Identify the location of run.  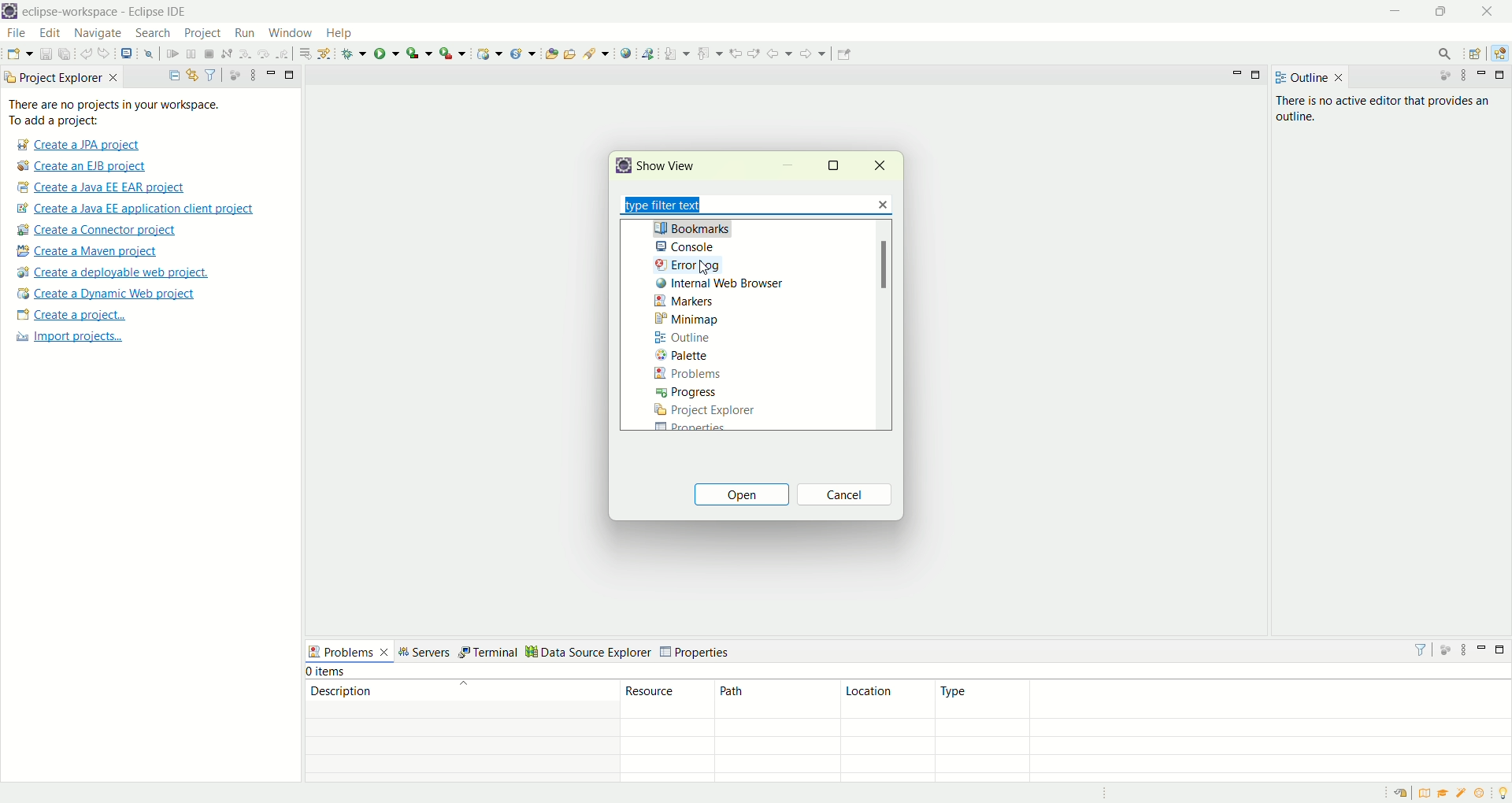
(387, 52).